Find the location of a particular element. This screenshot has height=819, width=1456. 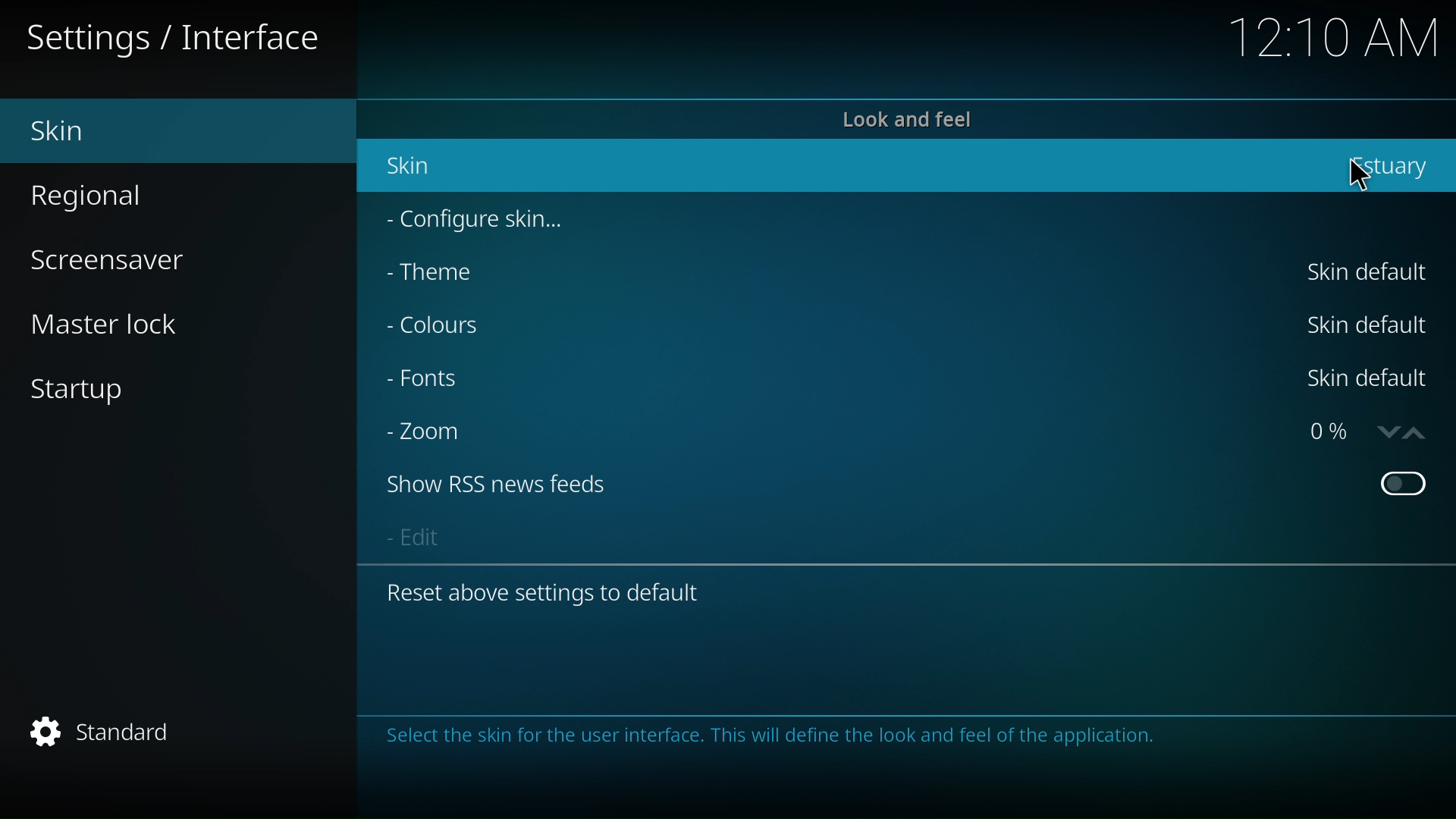

configure skin is located at coordinates (485, 218).